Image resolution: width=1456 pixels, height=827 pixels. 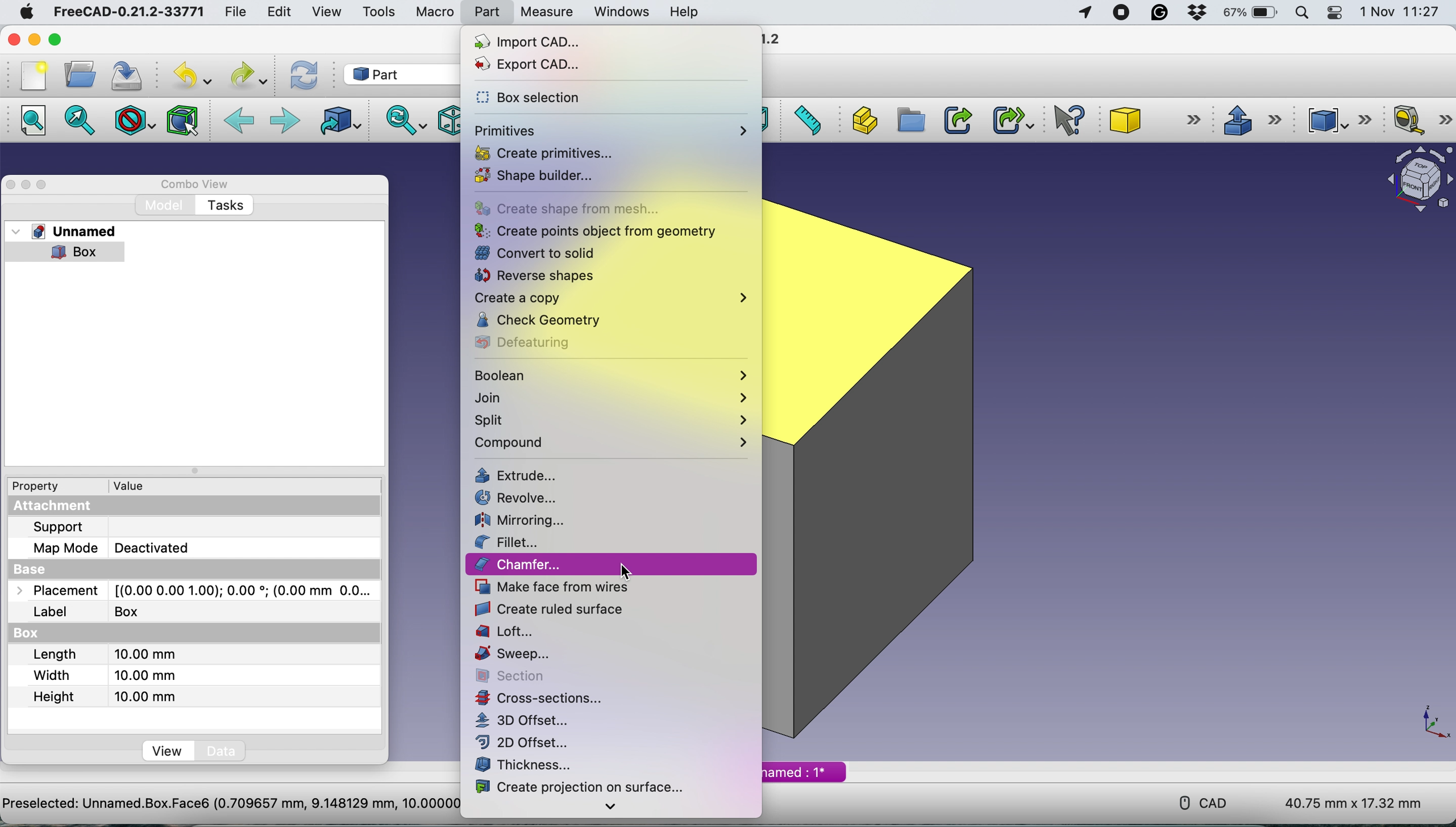 What do you see at coordinates (587, 208) in the screenshot?
I see `create shape from mesh` at bounding box center [587, 208].